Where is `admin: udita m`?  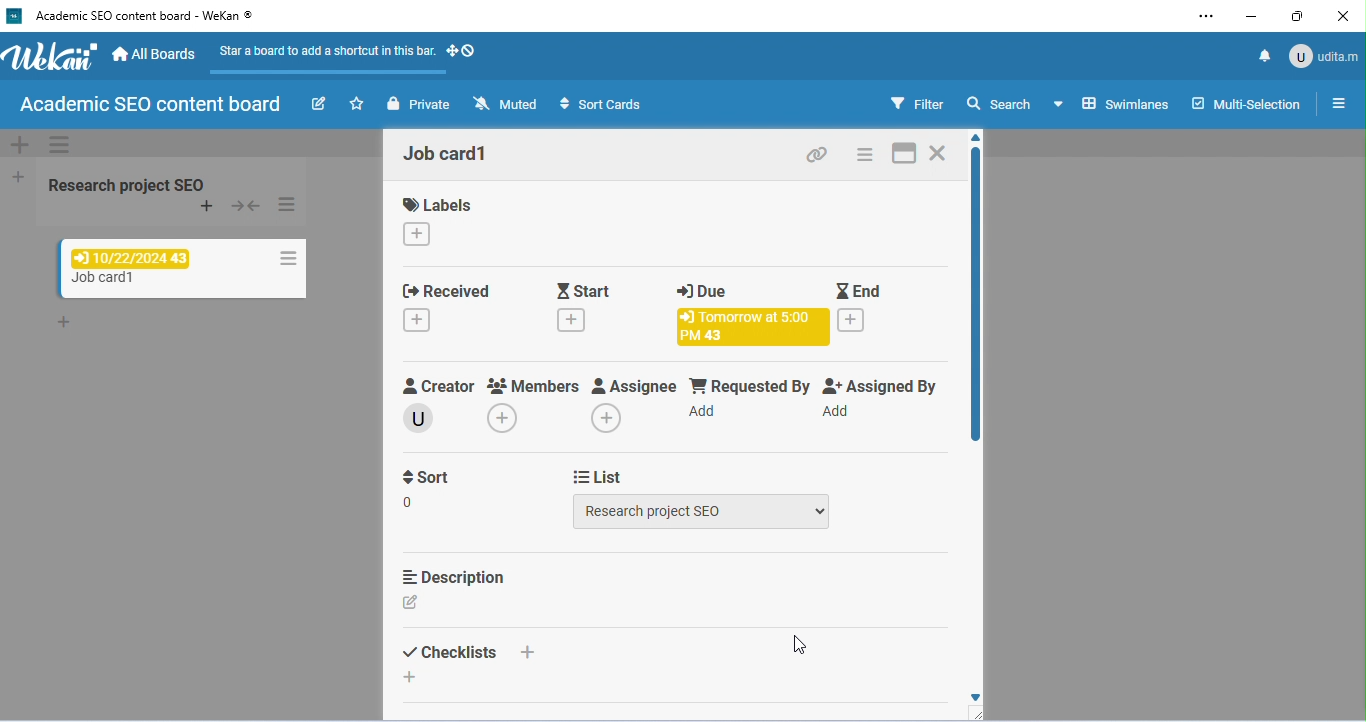 admin: udita m is located at coordinates (1322, 55).